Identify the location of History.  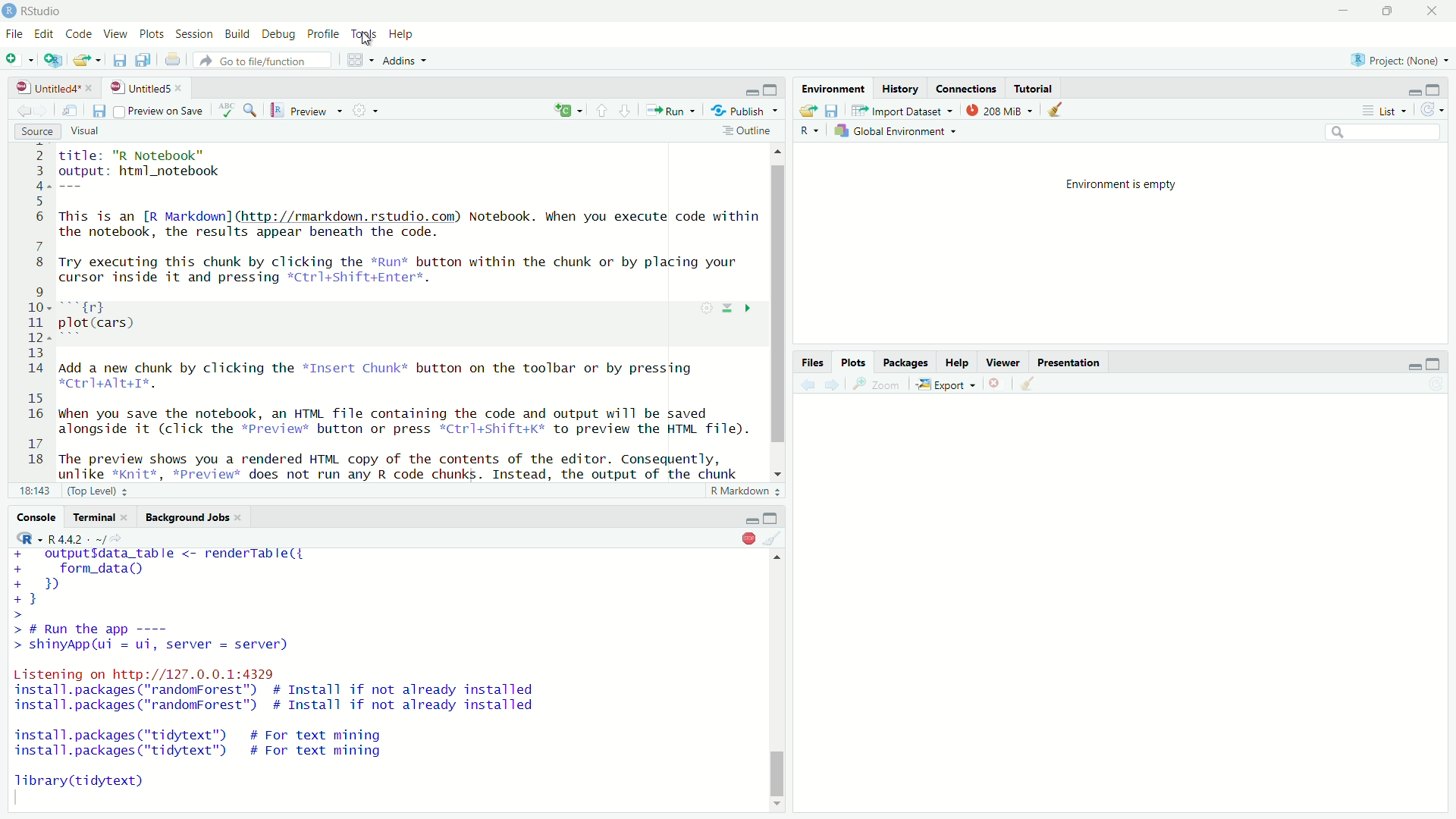
(899, 88).